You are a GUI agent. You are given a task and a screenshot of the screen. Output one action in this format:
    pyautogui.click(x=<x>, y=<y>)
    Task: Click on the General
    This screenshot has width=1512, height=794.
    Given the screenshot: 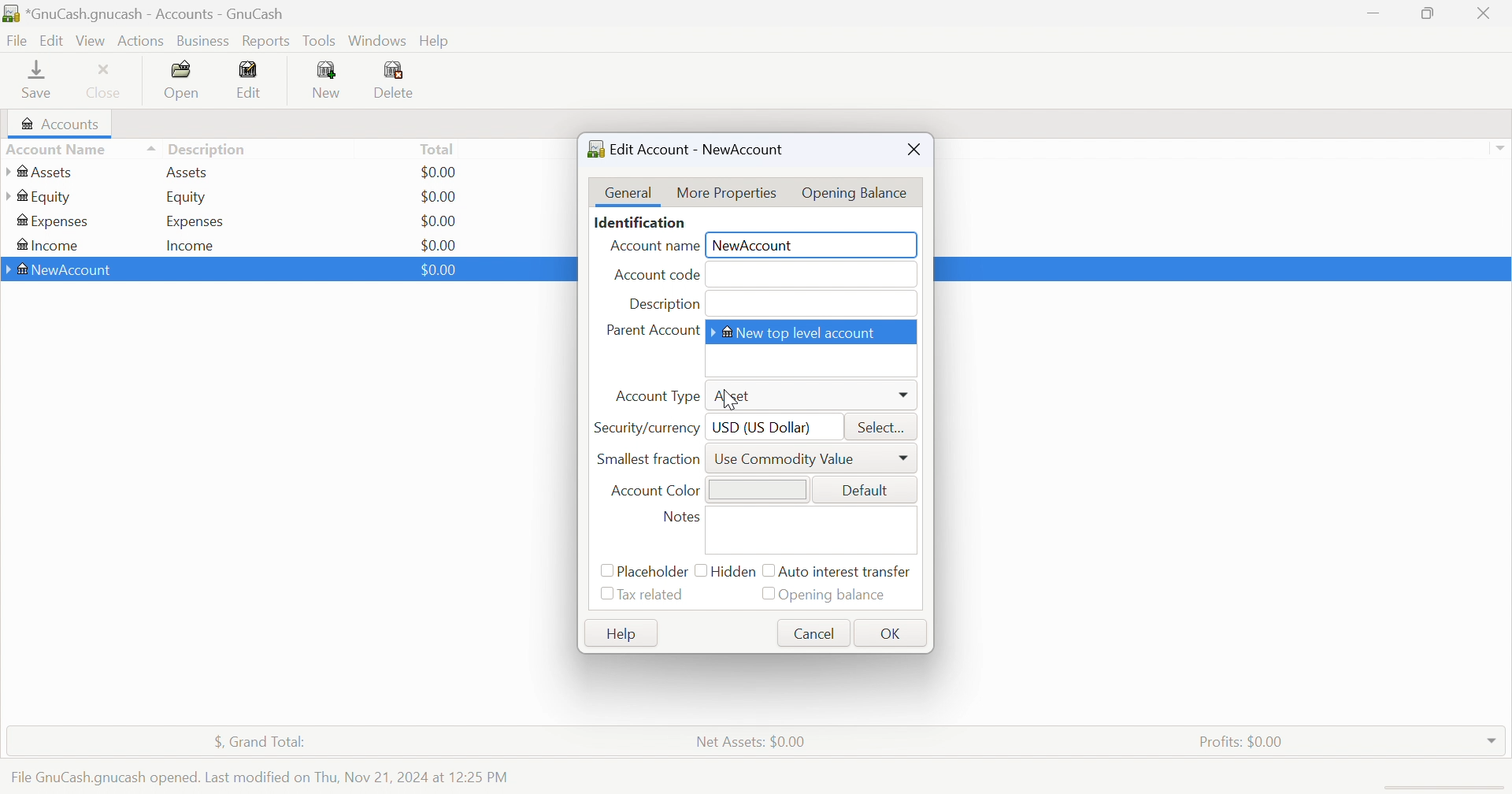 What is the action you would take?
    pyautogui.click(x=630, y=193)
    